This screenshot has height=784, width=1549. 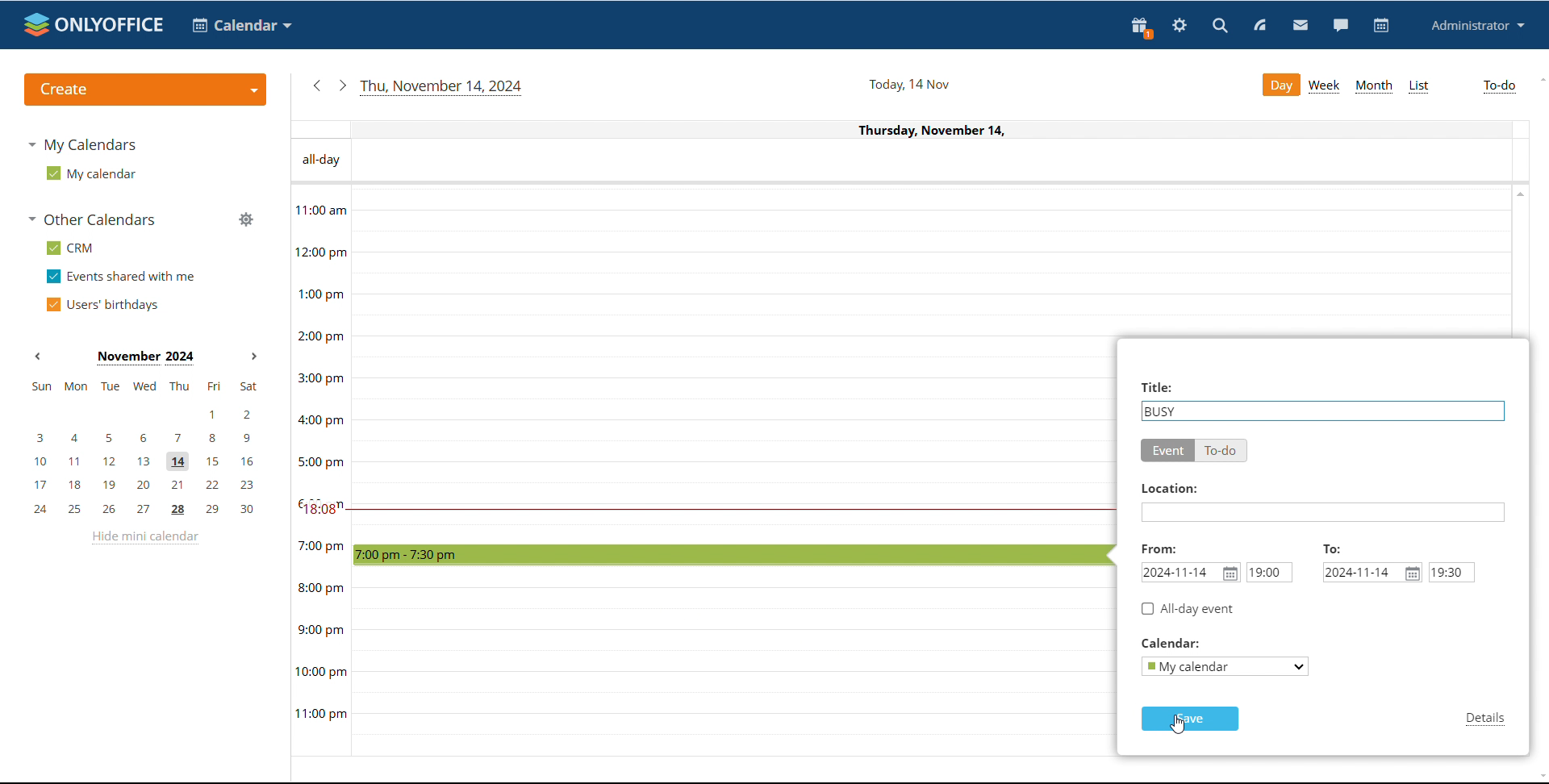 I want to click on details, so click(x=1484, y=718).